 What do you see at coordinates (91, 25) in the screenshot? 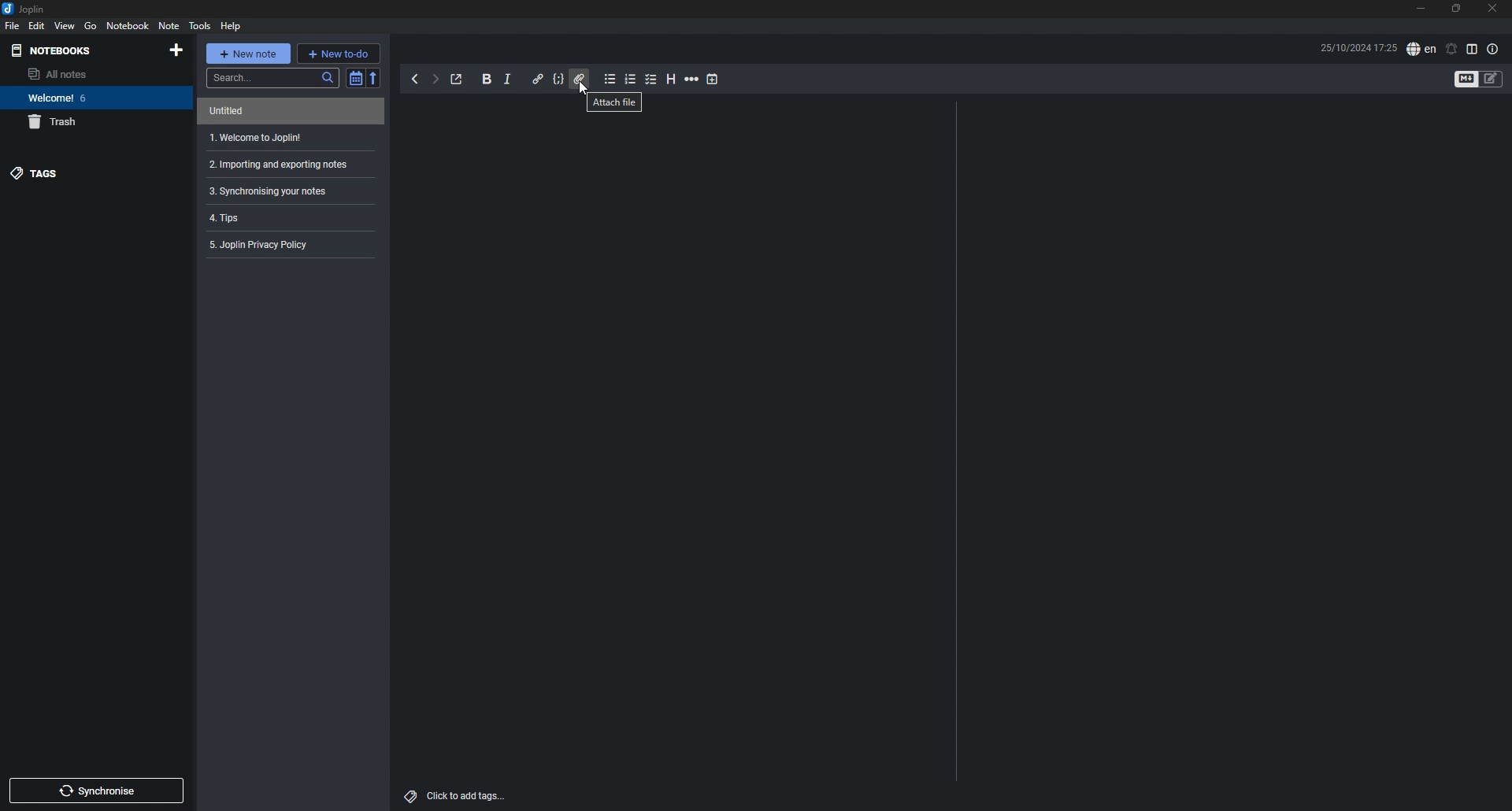
I see `go` at bounding box center [91, 25].